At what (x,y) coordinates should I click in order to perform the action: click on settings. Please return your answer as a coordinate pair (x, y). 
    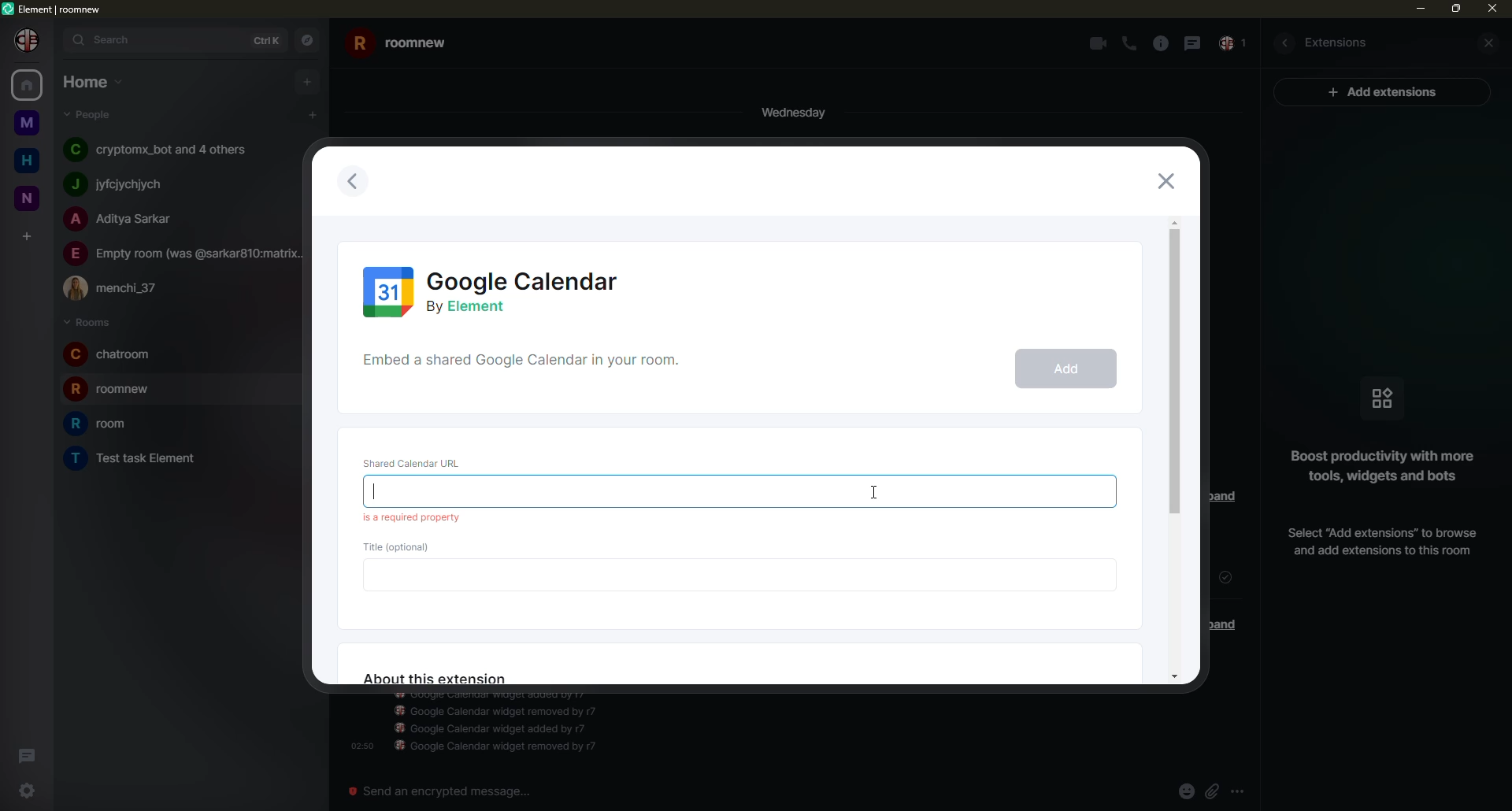
    Looking at the image, I should click on (31, 794).